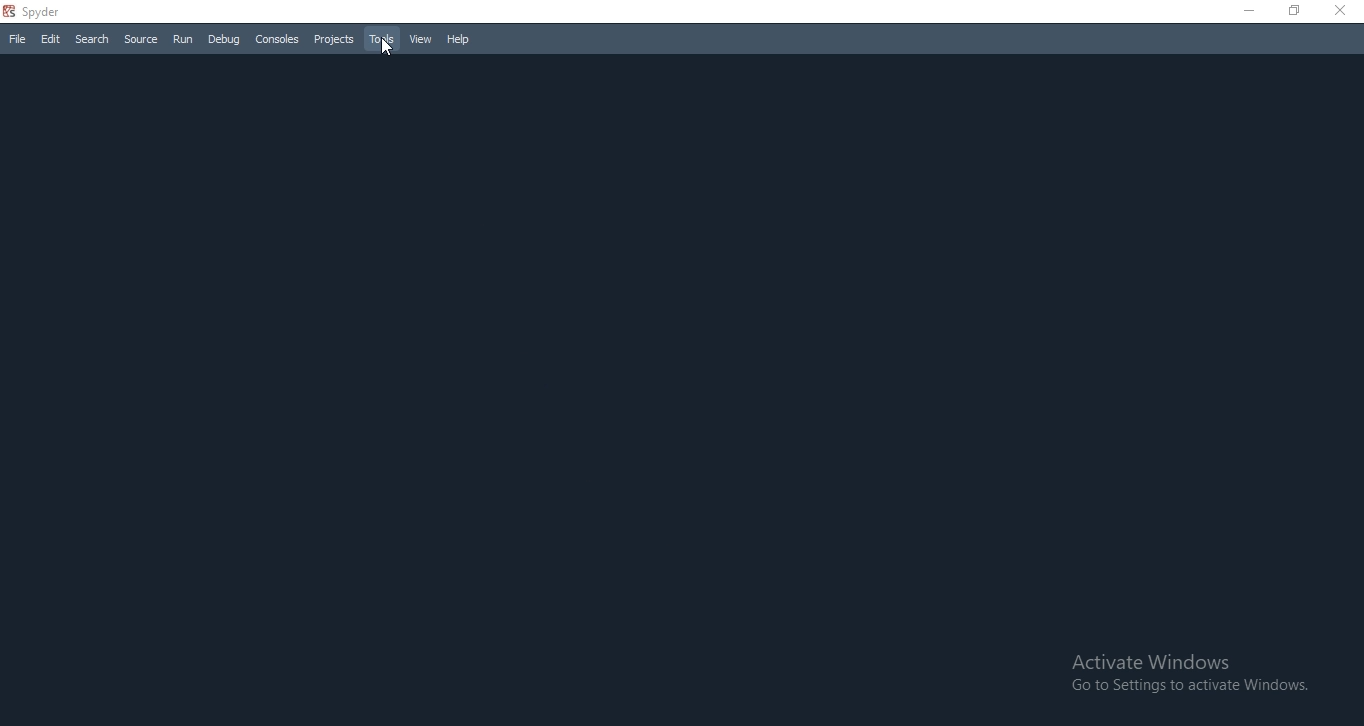 This screenshot has width=1364, height=726. I want to click on spyder logo, so click(9, 12).